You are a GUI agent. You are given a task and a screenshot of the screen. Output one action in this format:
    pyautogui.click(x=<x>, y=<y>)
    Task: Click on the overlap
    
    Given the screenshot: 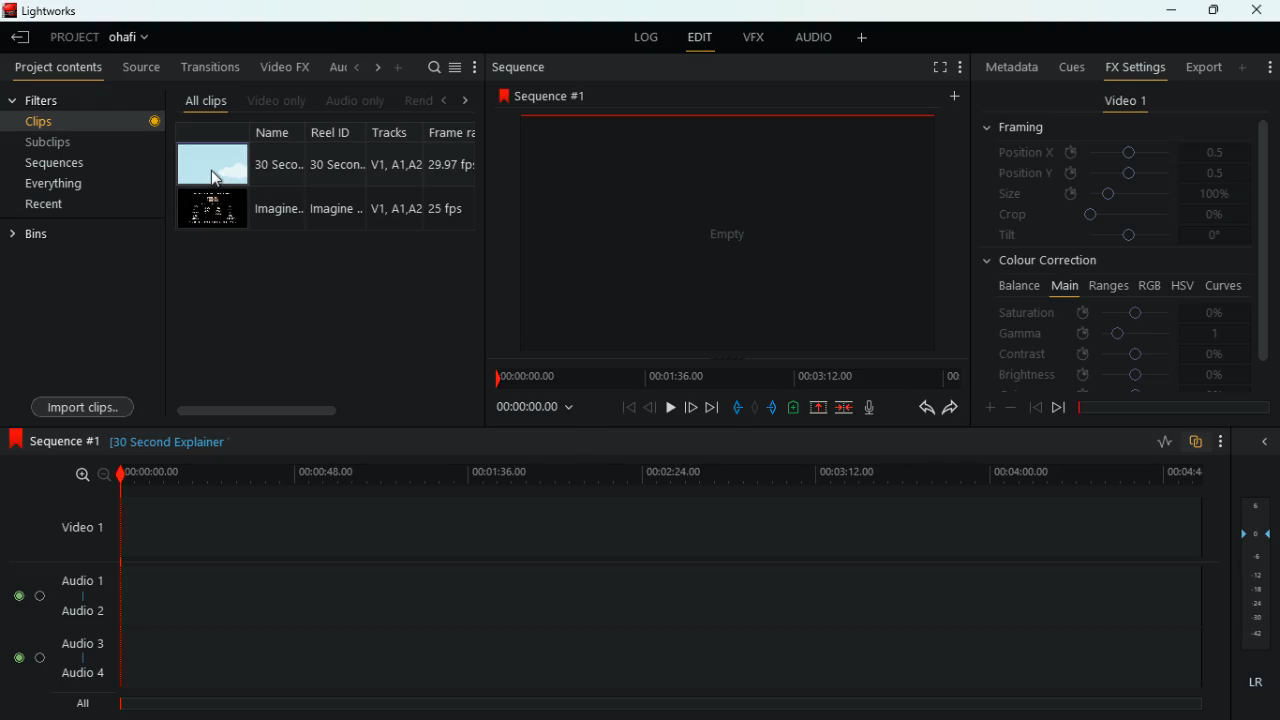 What is the action you would take?
    pyautogui.click(x=1196, y=443)
    